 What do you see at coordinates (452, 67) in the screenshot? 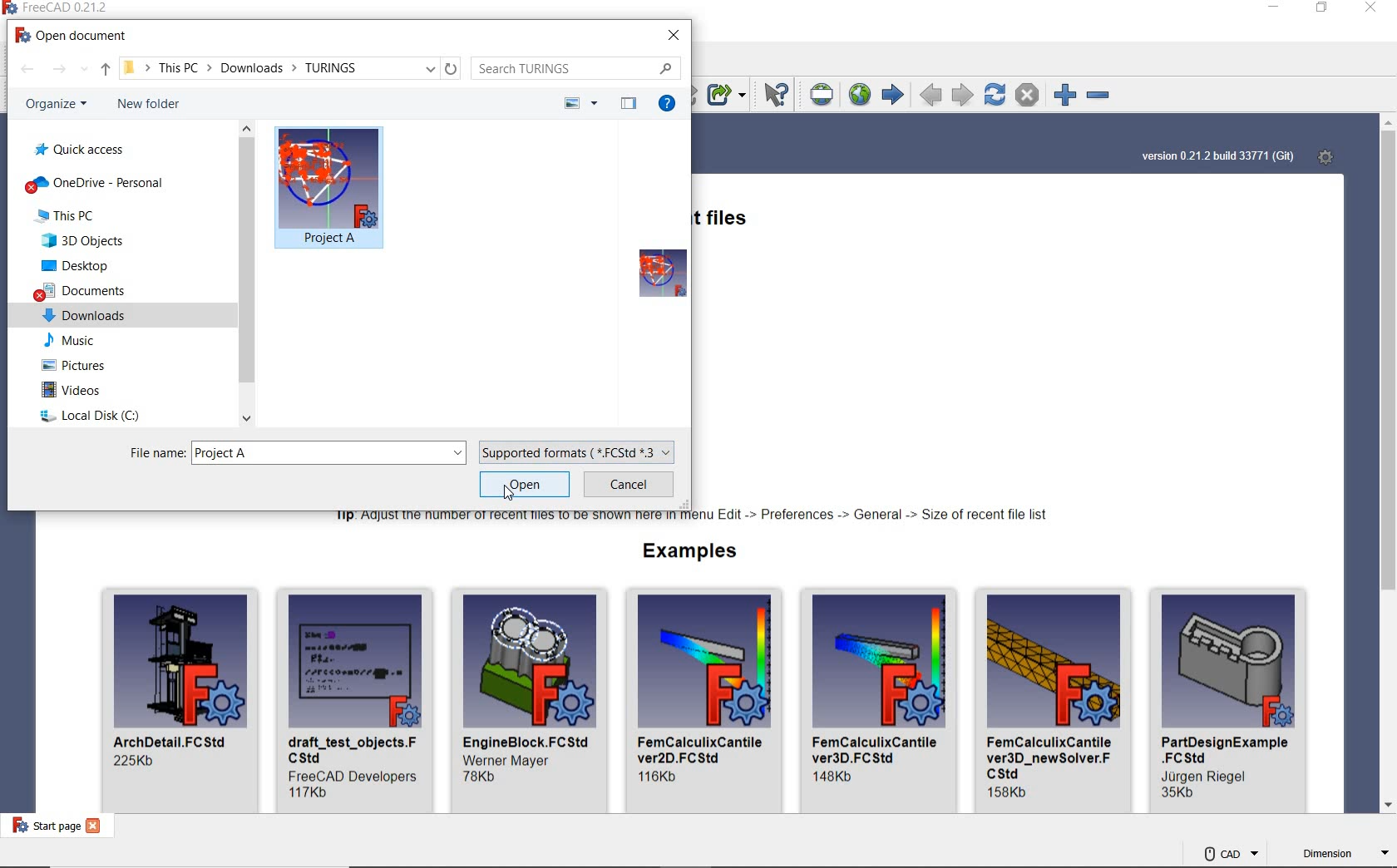
I see `REFRESH` at bounding box center [452, 67].